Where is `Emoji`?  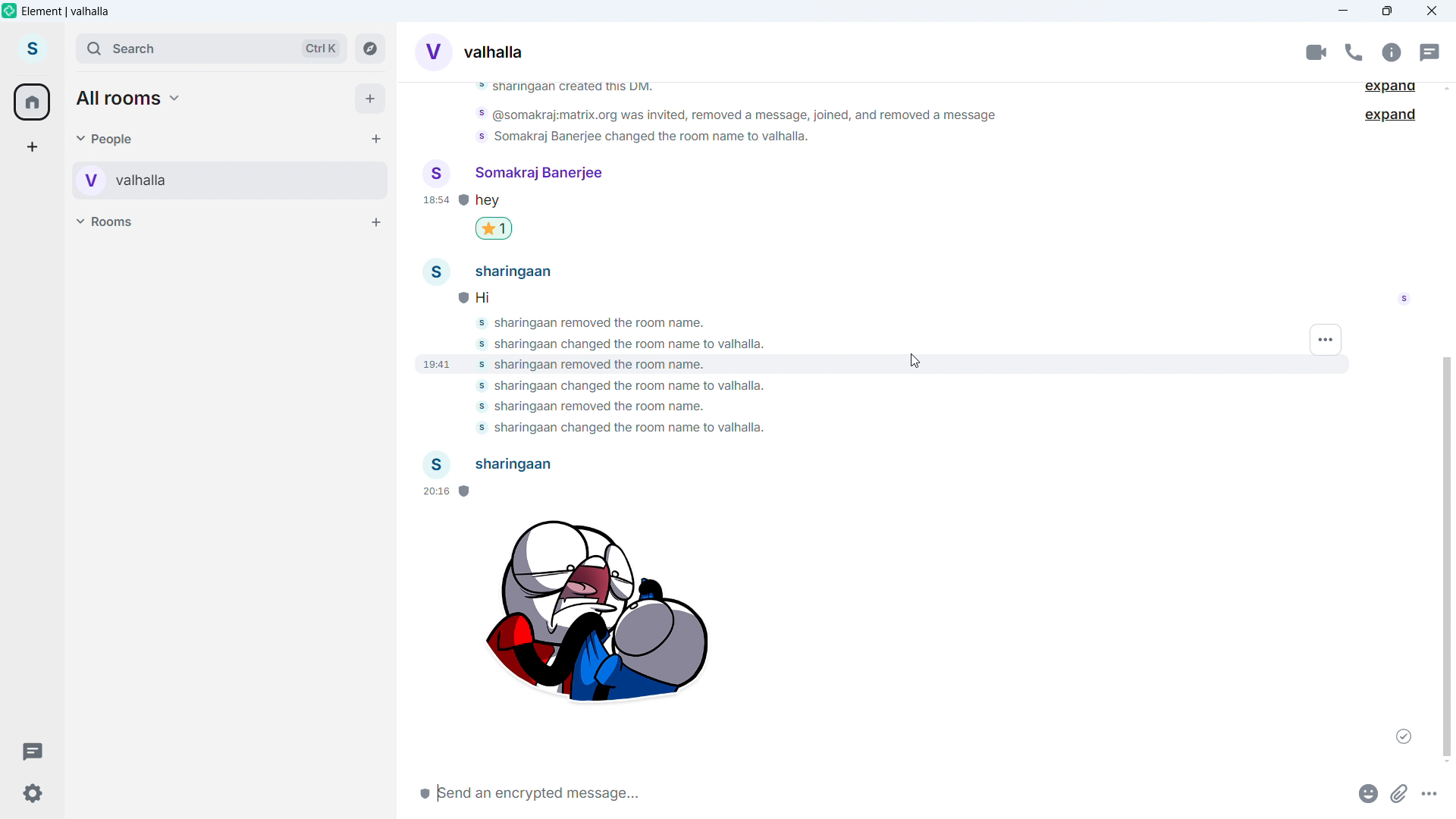 Emoji is located at coordinates (1365, 792).